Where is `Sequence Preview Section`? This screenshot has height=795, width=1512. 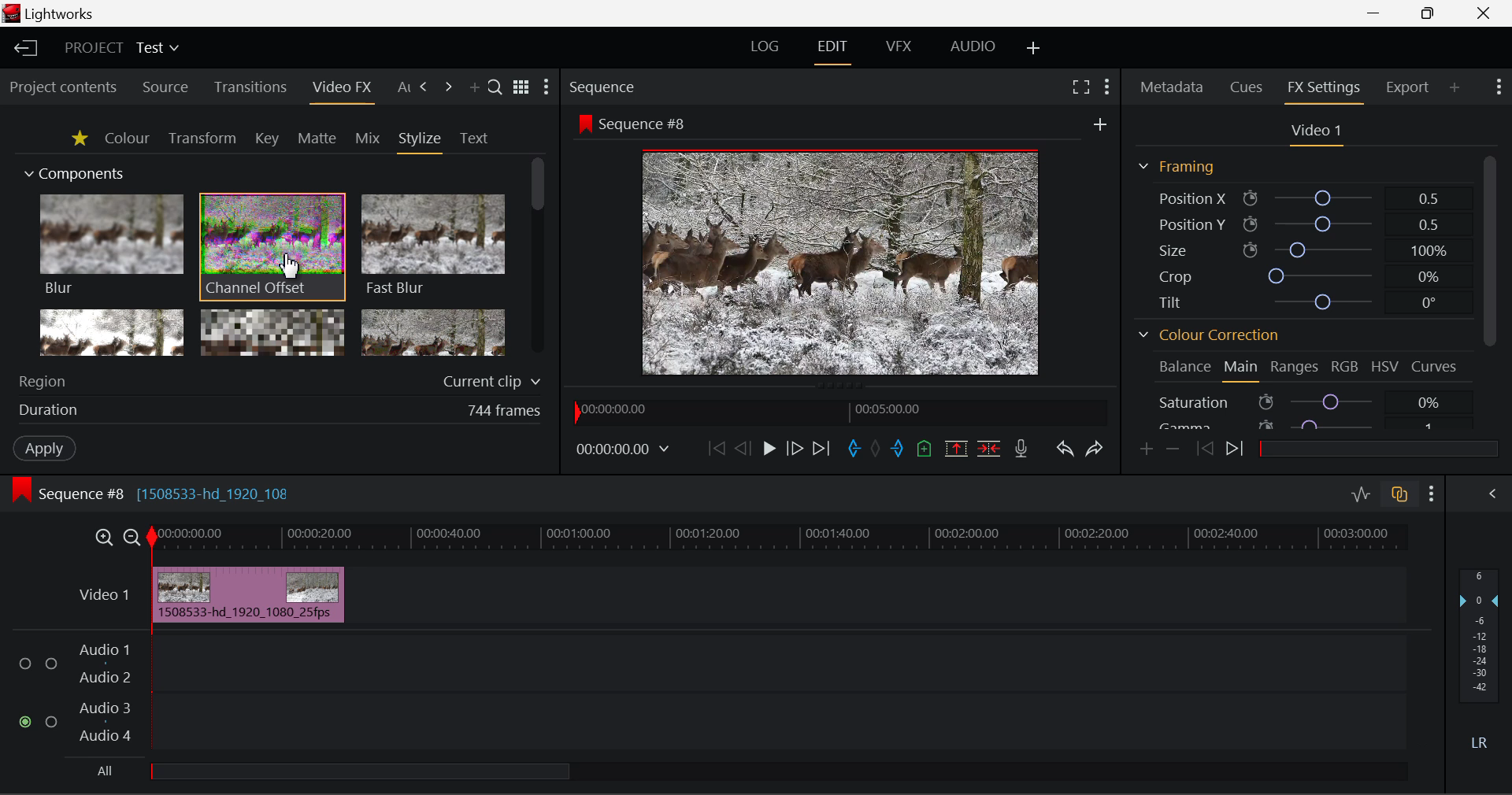
Sequence Preview Section is located at coordinates (604, 86).